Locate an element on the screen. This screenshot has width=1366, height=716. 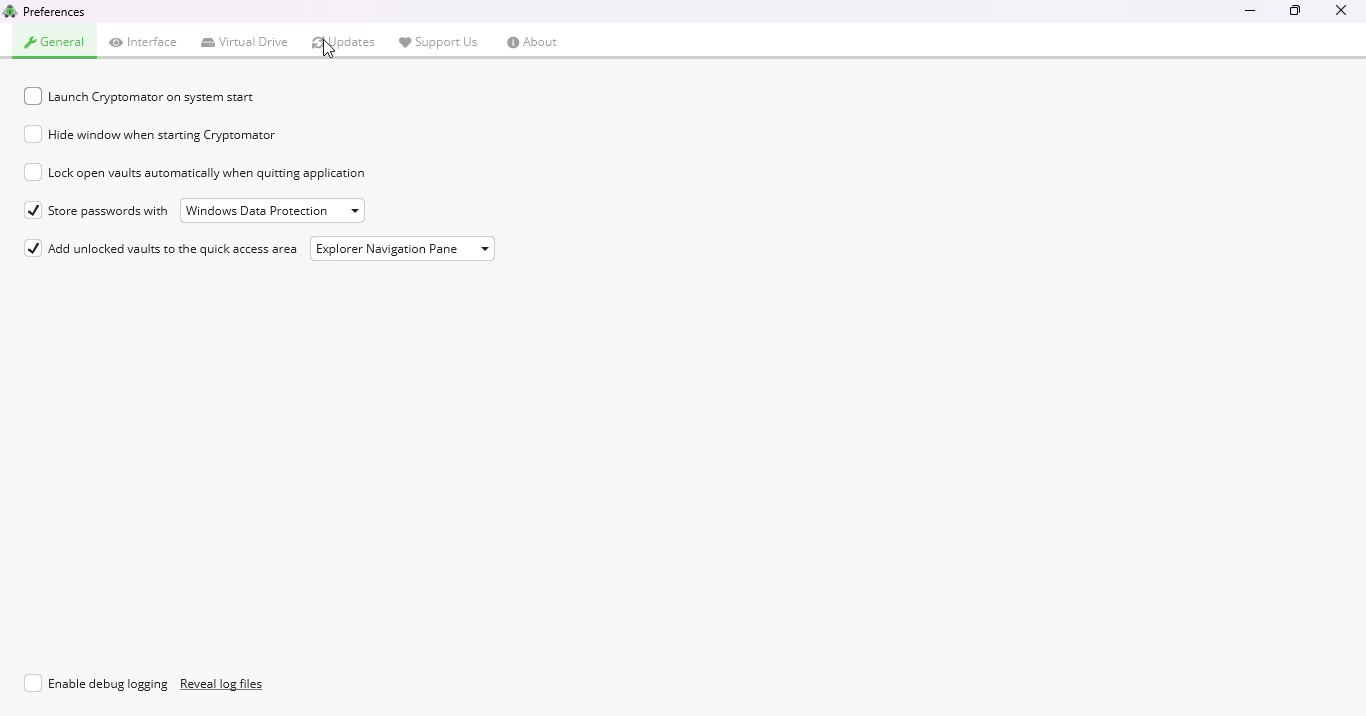
add unlocked vaults to the quick access area  is located at coordinates (159, 248).